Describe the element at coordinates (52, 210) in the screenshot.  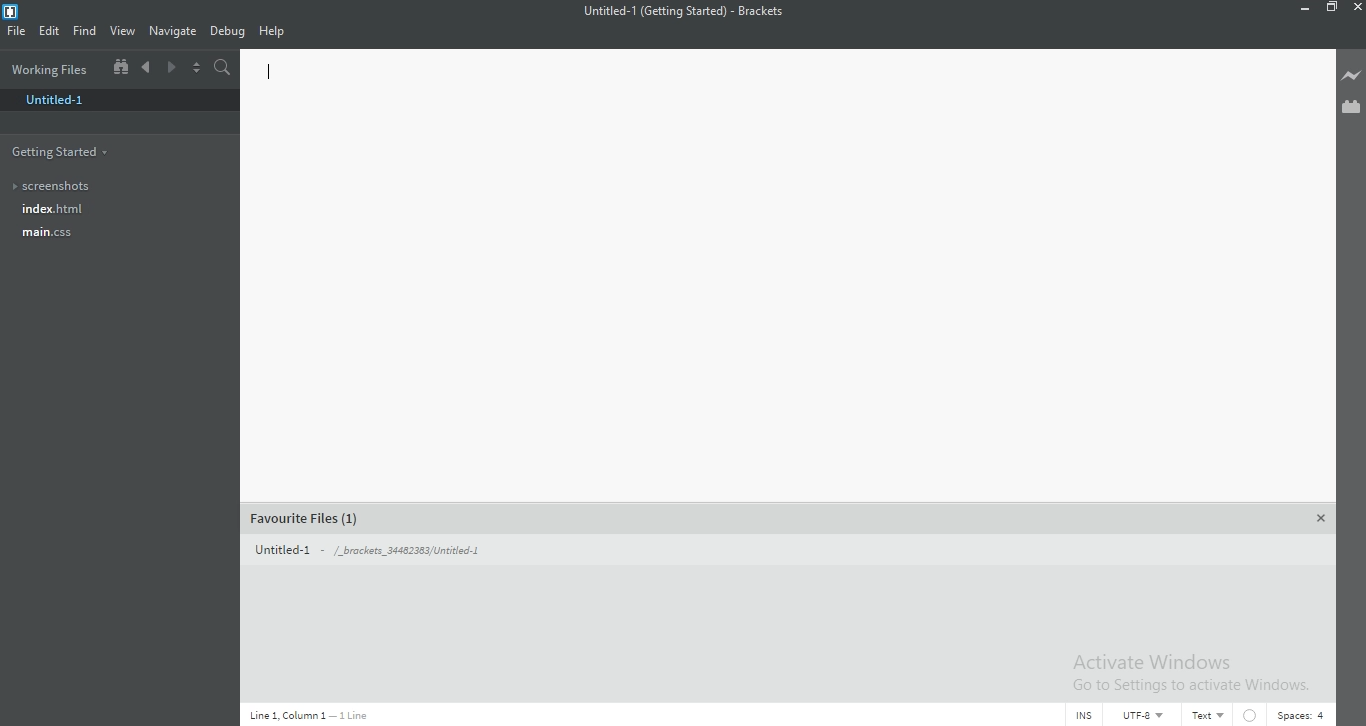
I see `Index.html` at that location.